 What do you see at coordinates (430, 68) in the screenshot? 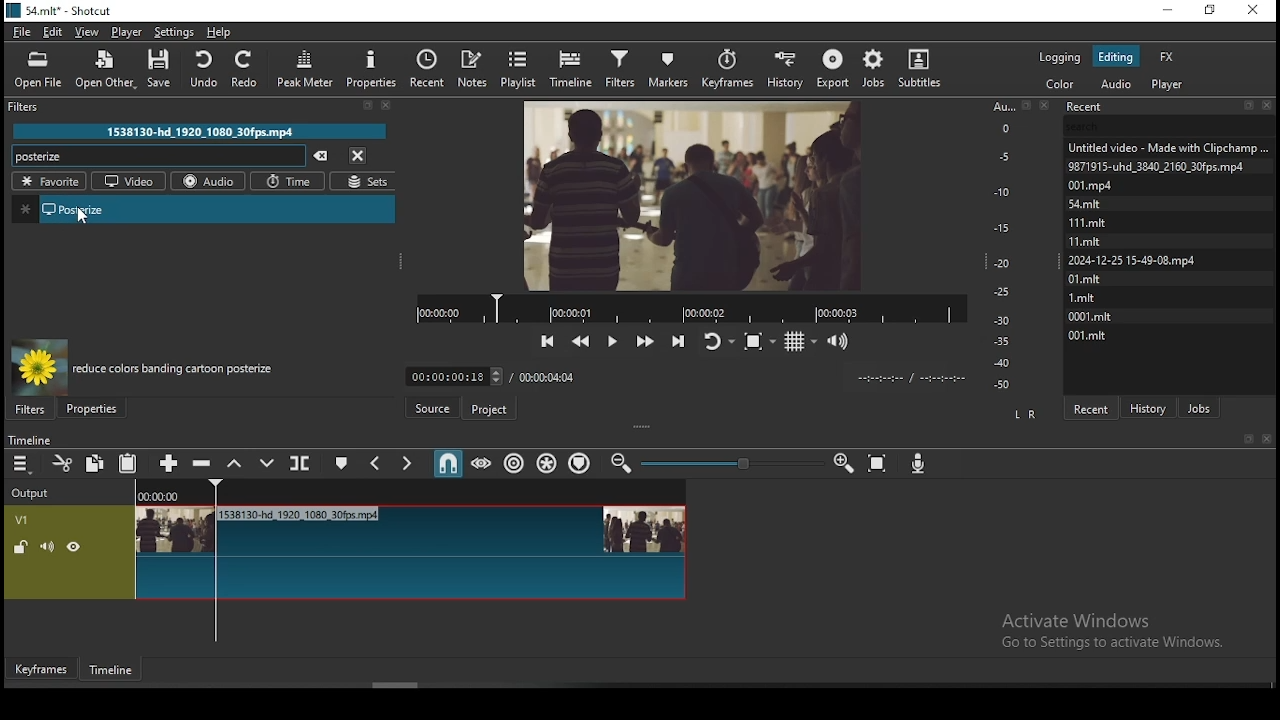
I see `recent` at bounding box center [430, 68].